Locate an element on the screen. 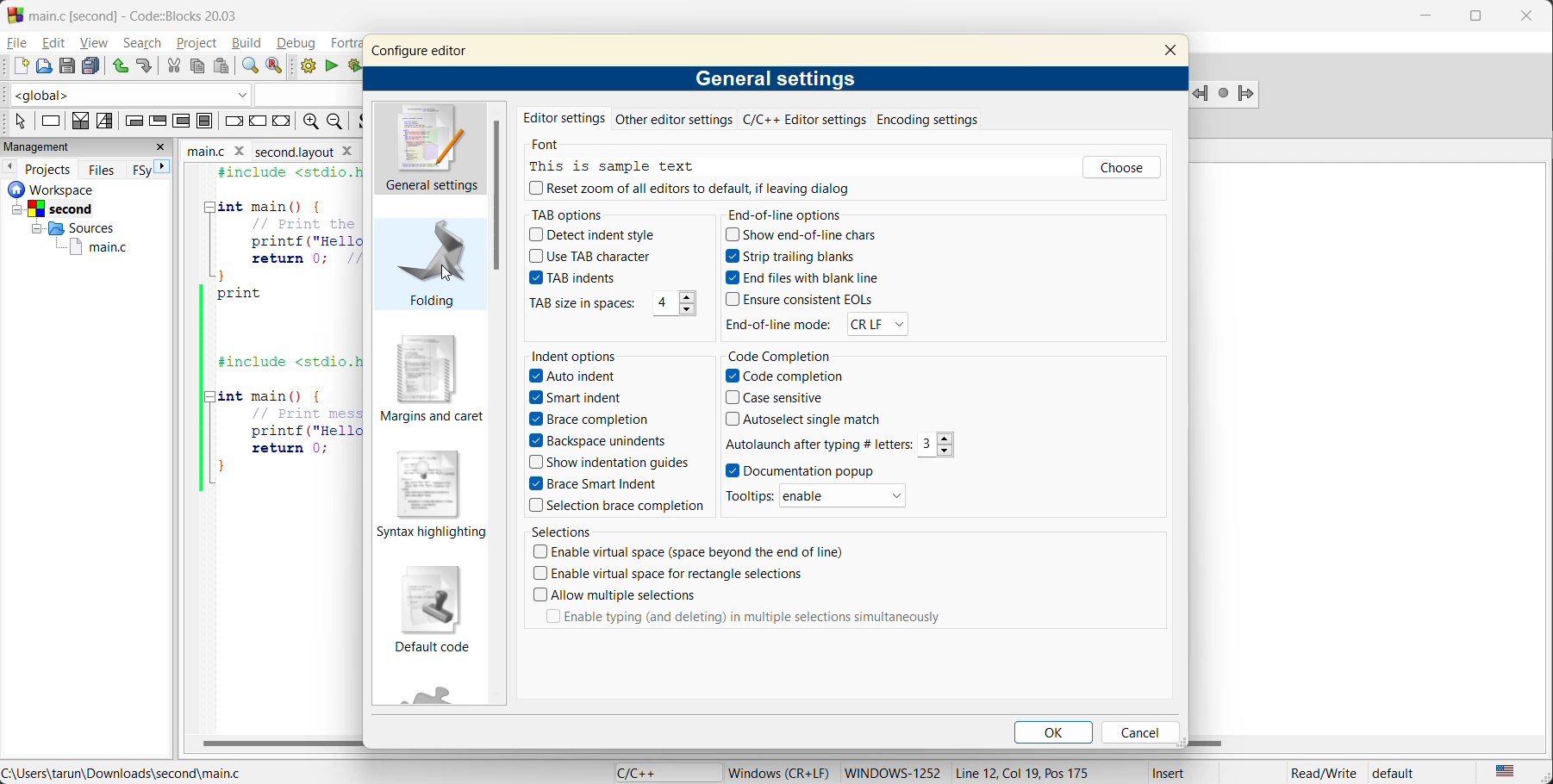 Image resolution: width=1553 pixels, height=784 pixels. build is located at coordinates (247, 42).